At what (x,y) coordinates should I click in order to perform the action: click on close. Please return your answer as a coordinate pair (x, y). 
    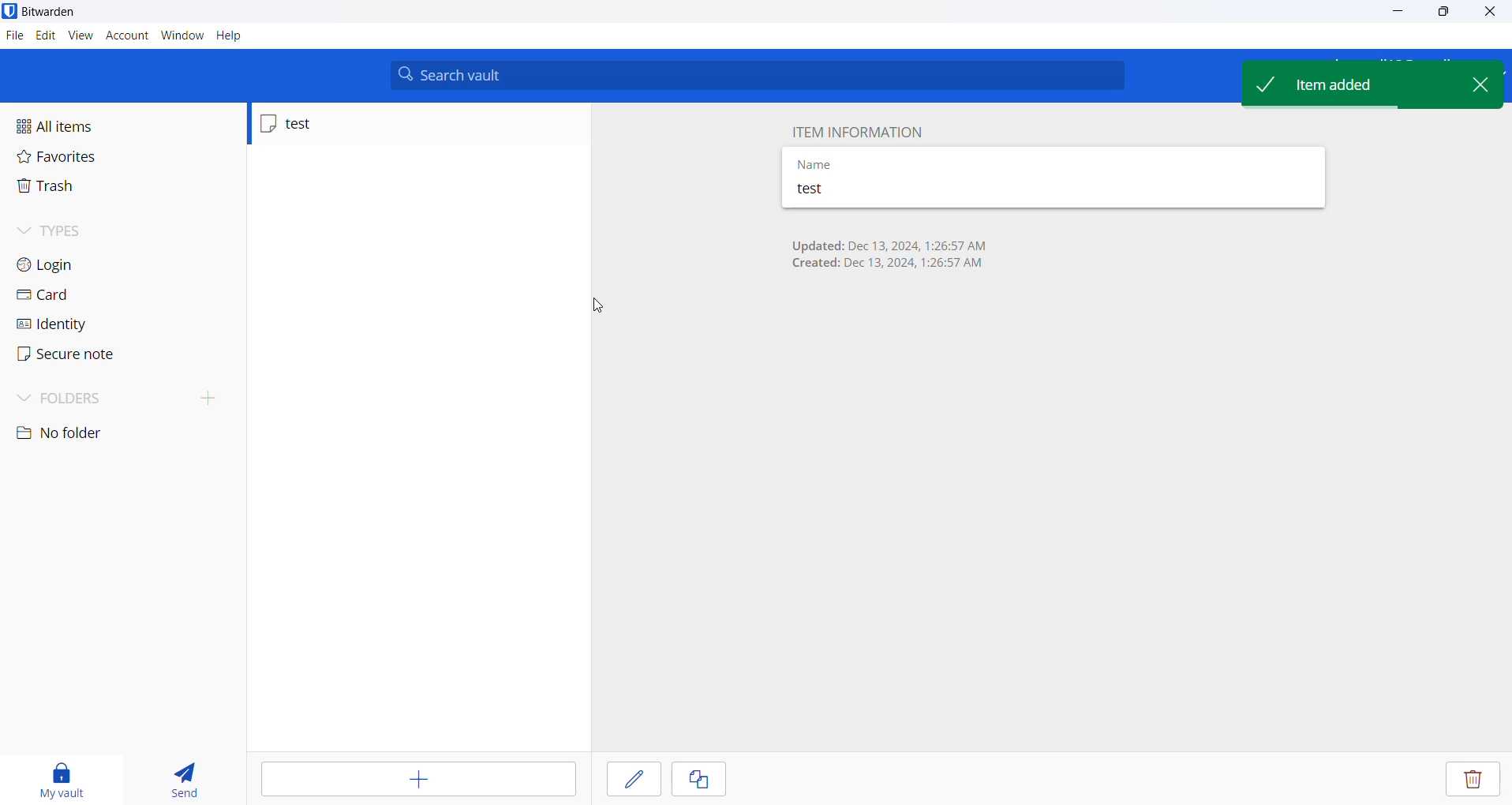
    Looking at the image, I should click on (1495, 12).